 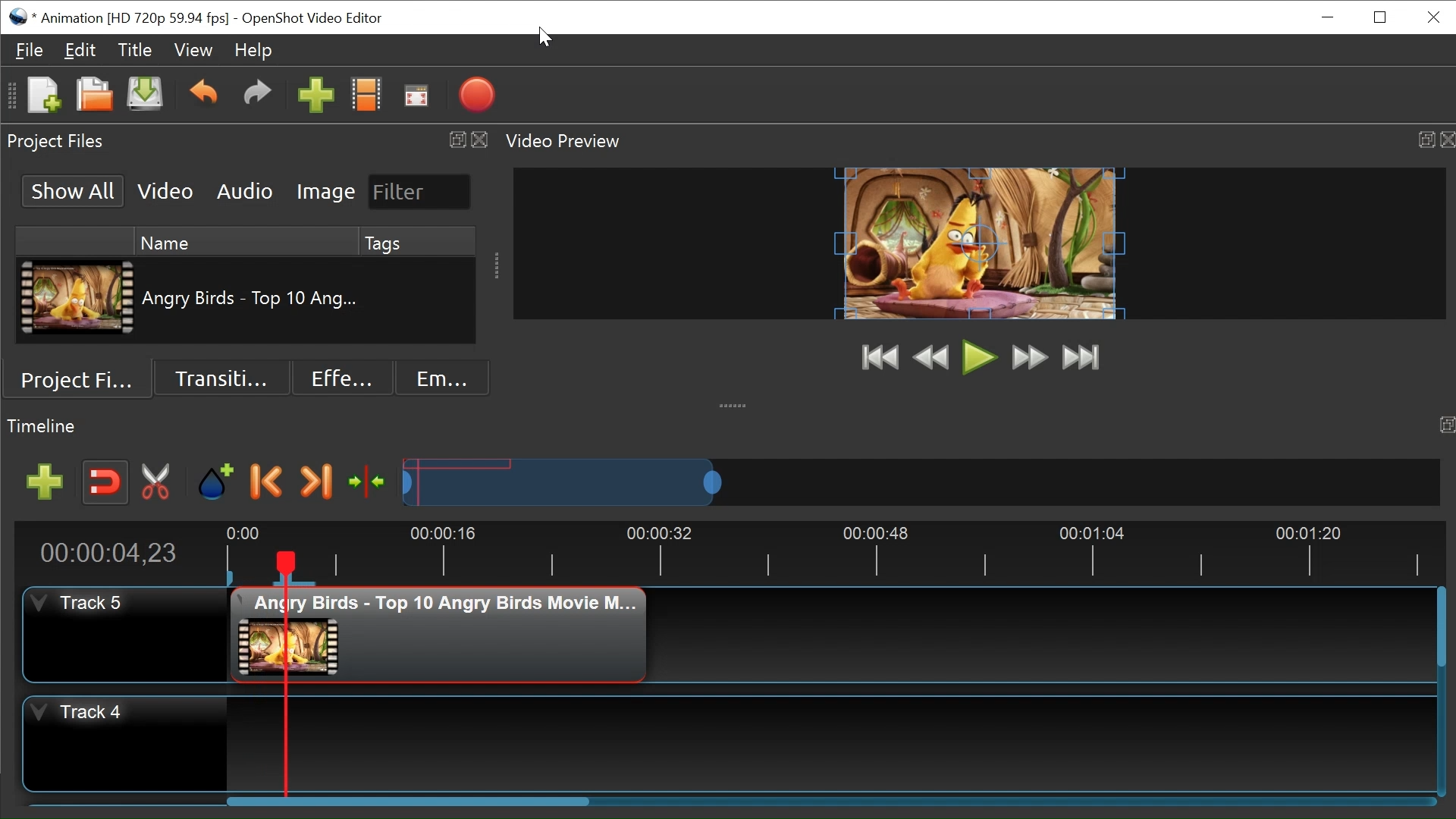 I want to click on Filter, so click(x=420, y=192).